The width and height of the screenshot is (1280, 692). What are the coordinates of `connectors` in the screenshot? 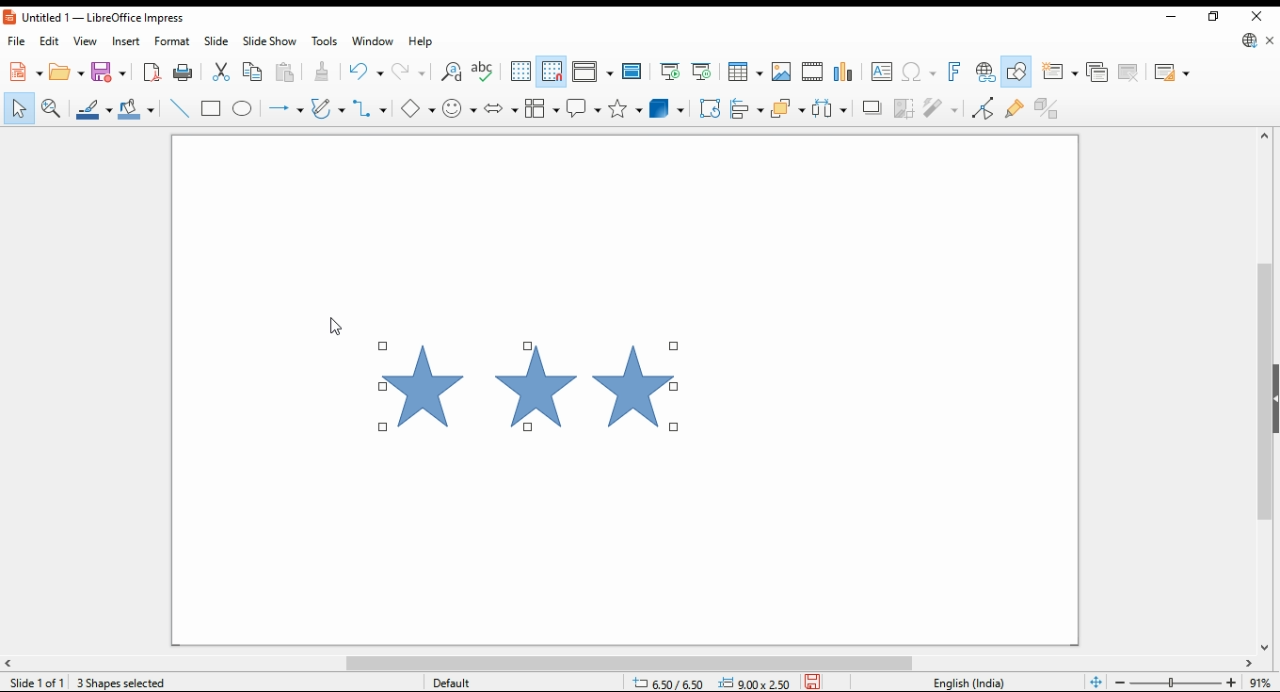 It's located at (369, 105).